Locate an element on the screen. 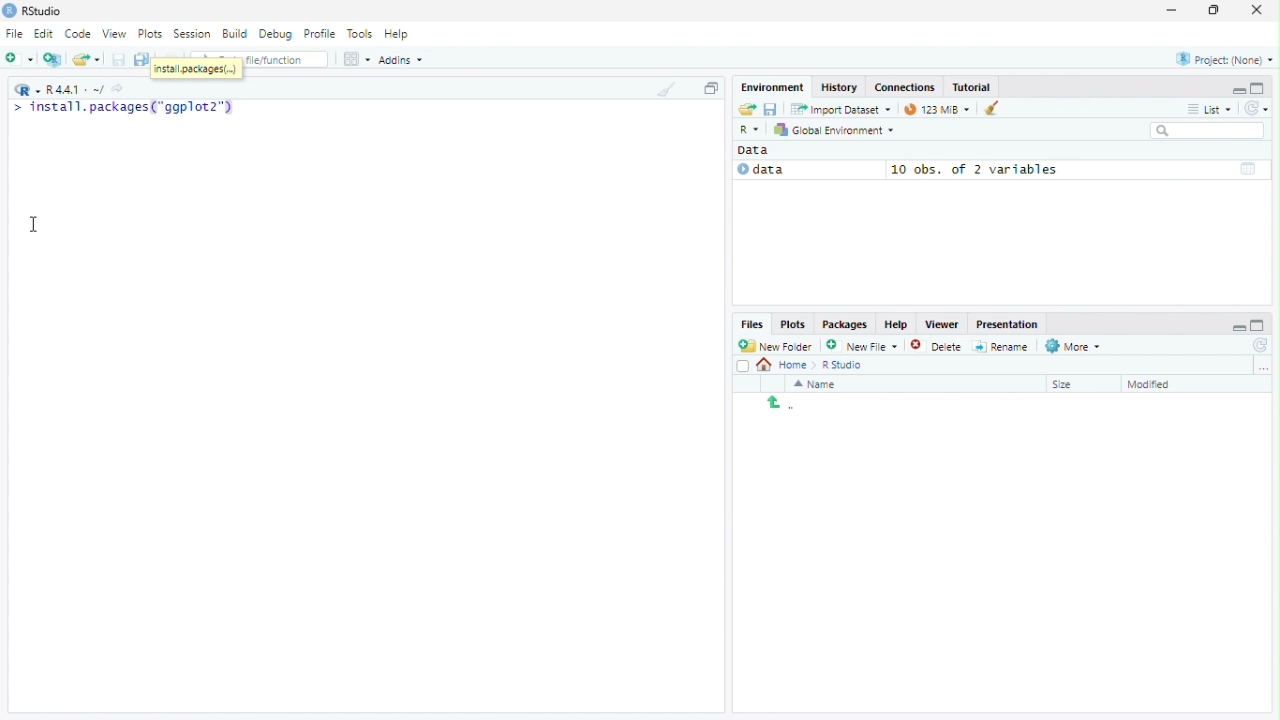 The height and width of the screenshot is (720, 1280). Data is located at coordinates (806, 170).